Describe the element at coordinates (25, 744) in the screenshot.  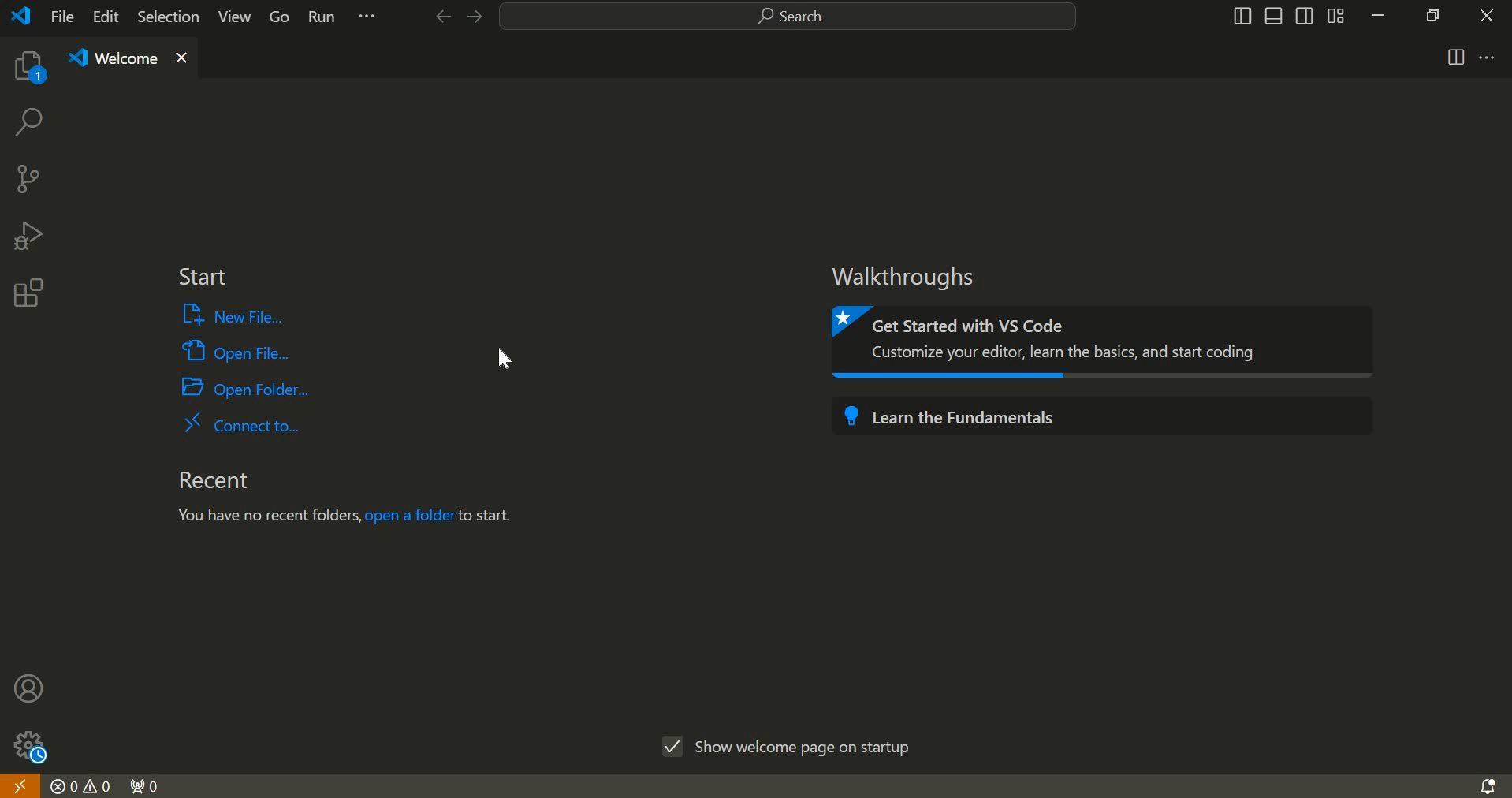
I see `manage` at that location.